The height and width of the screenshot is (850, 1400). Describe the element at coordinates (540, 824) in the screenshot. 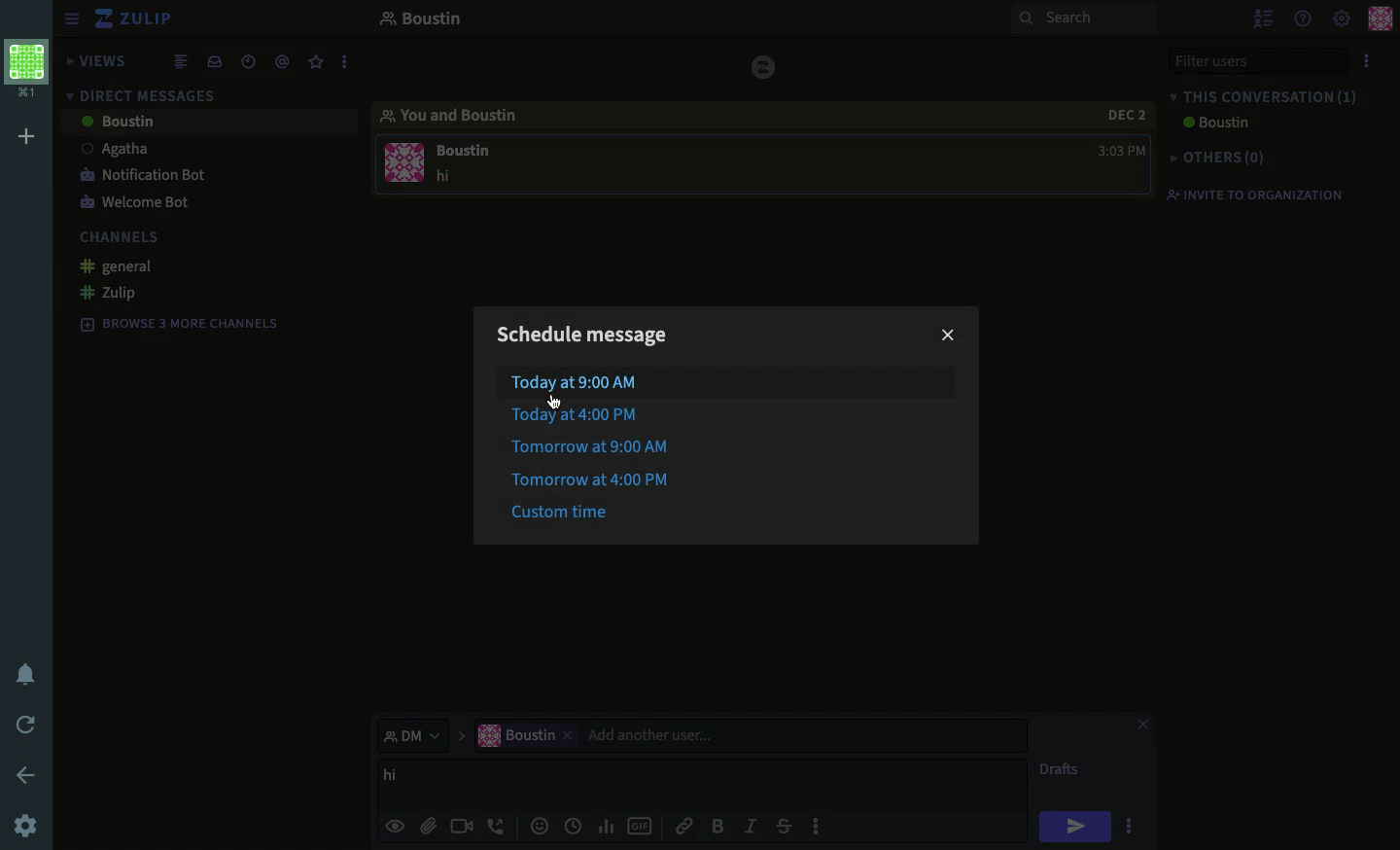

I see `emojis` at that location.